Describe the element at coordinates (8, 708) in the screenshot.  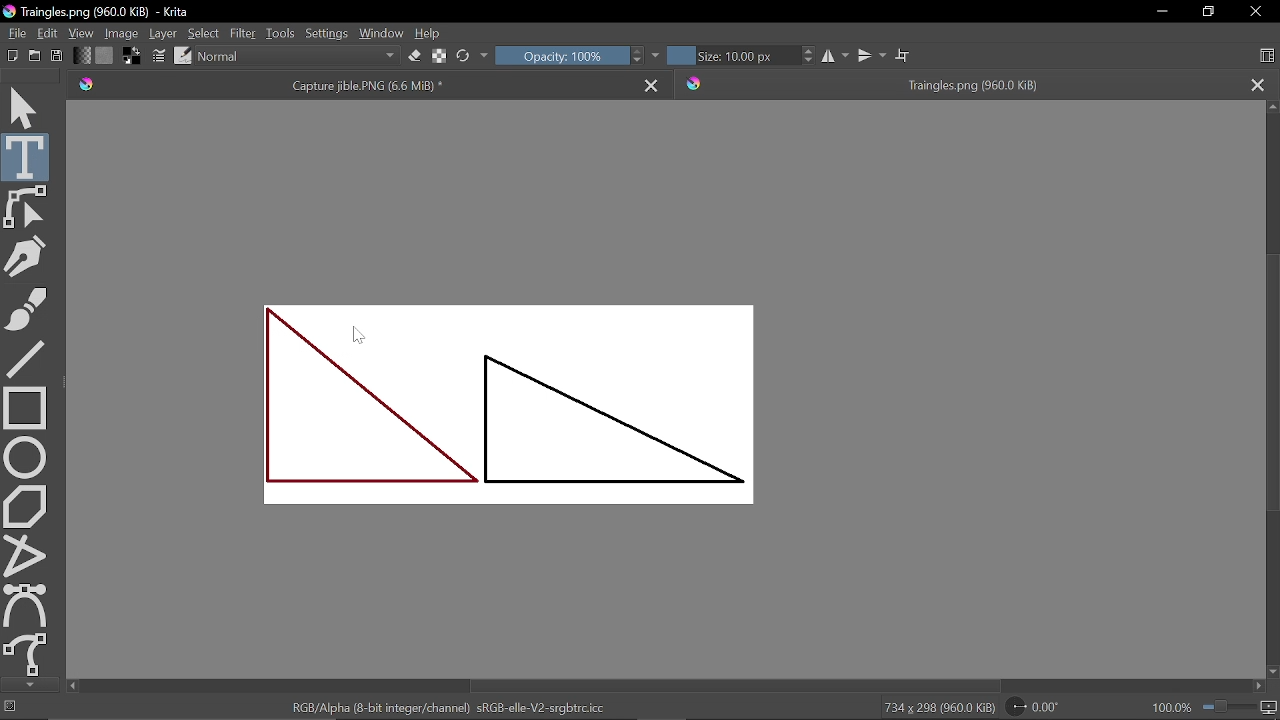
I see `No selection` at that location.